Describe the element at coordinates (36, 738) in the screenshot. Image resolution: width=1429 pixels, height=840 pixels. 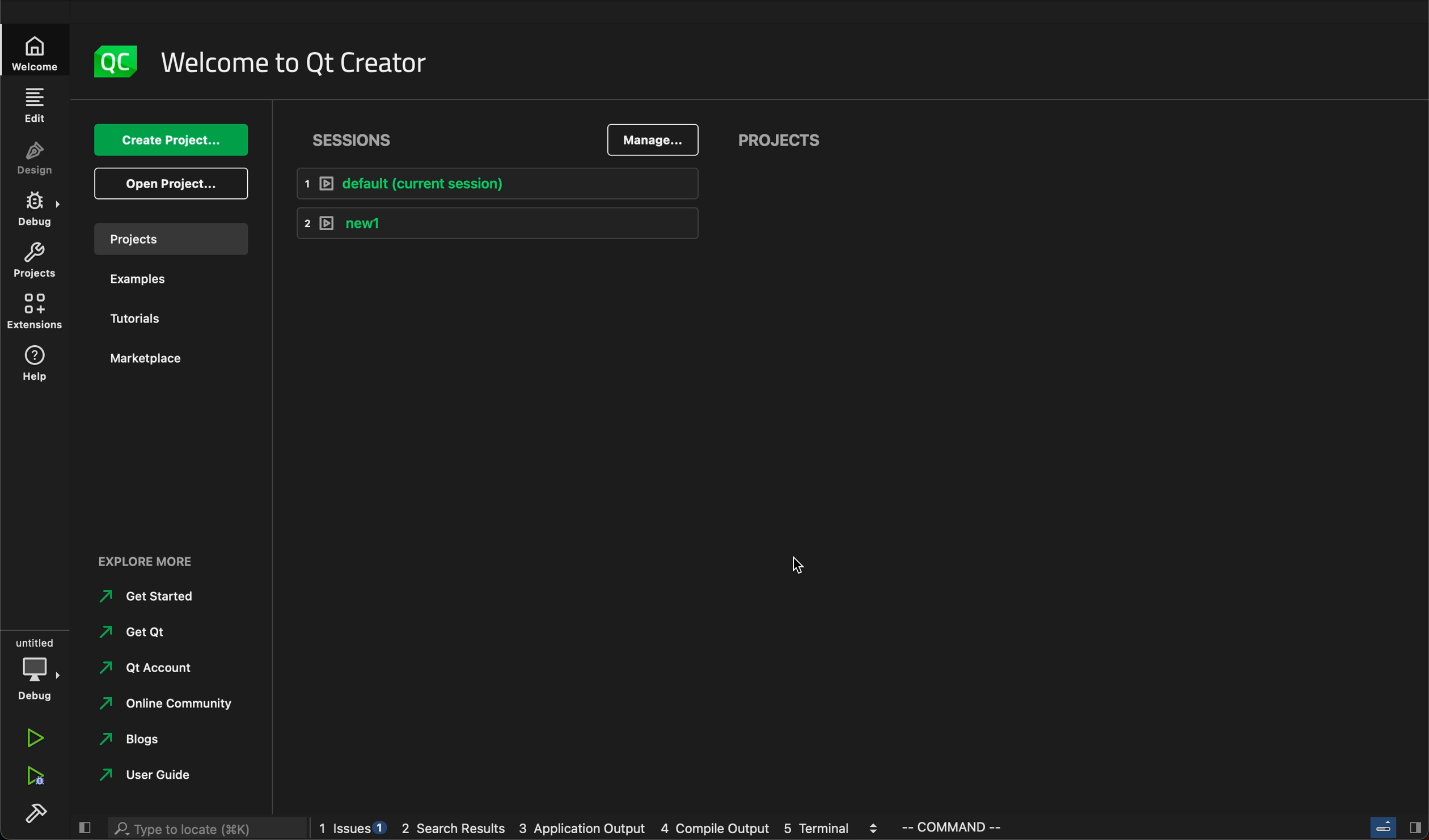
I see `run` at that location.